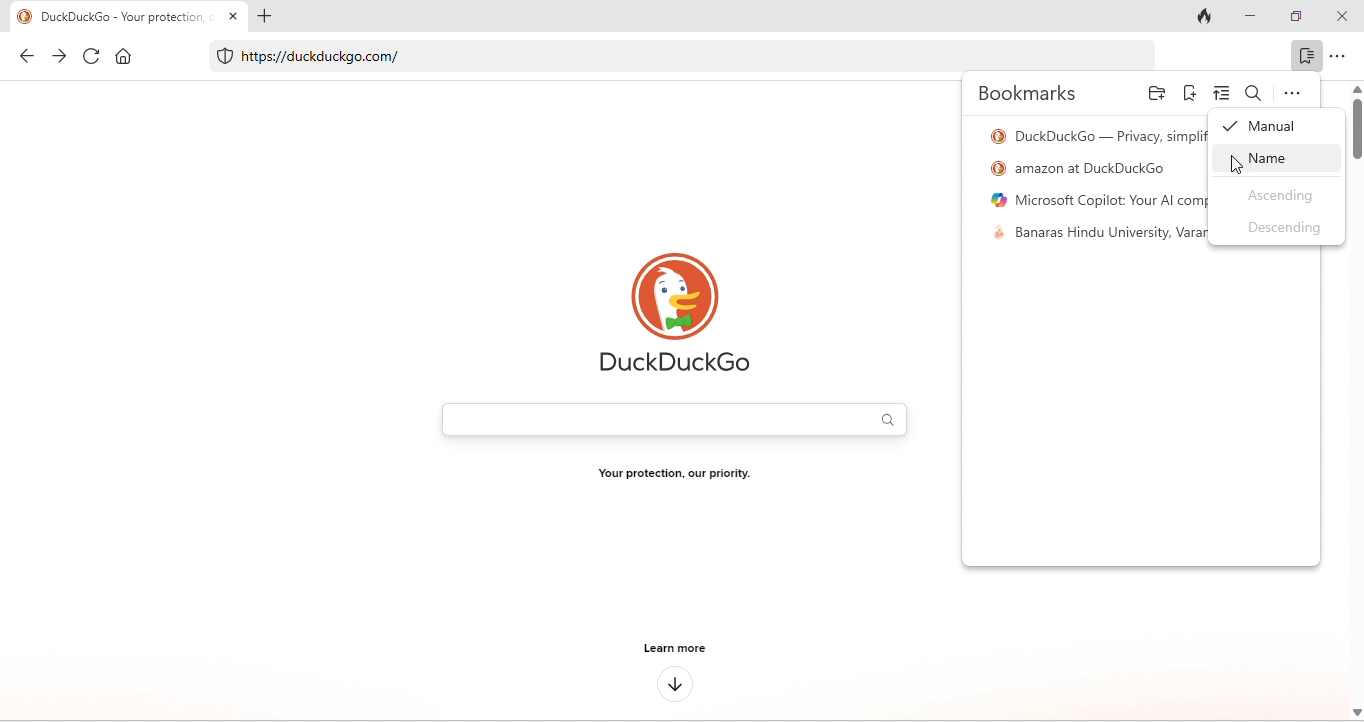 This screenshot has width=1364, height=722. I want to click on home, so click(122, 59).